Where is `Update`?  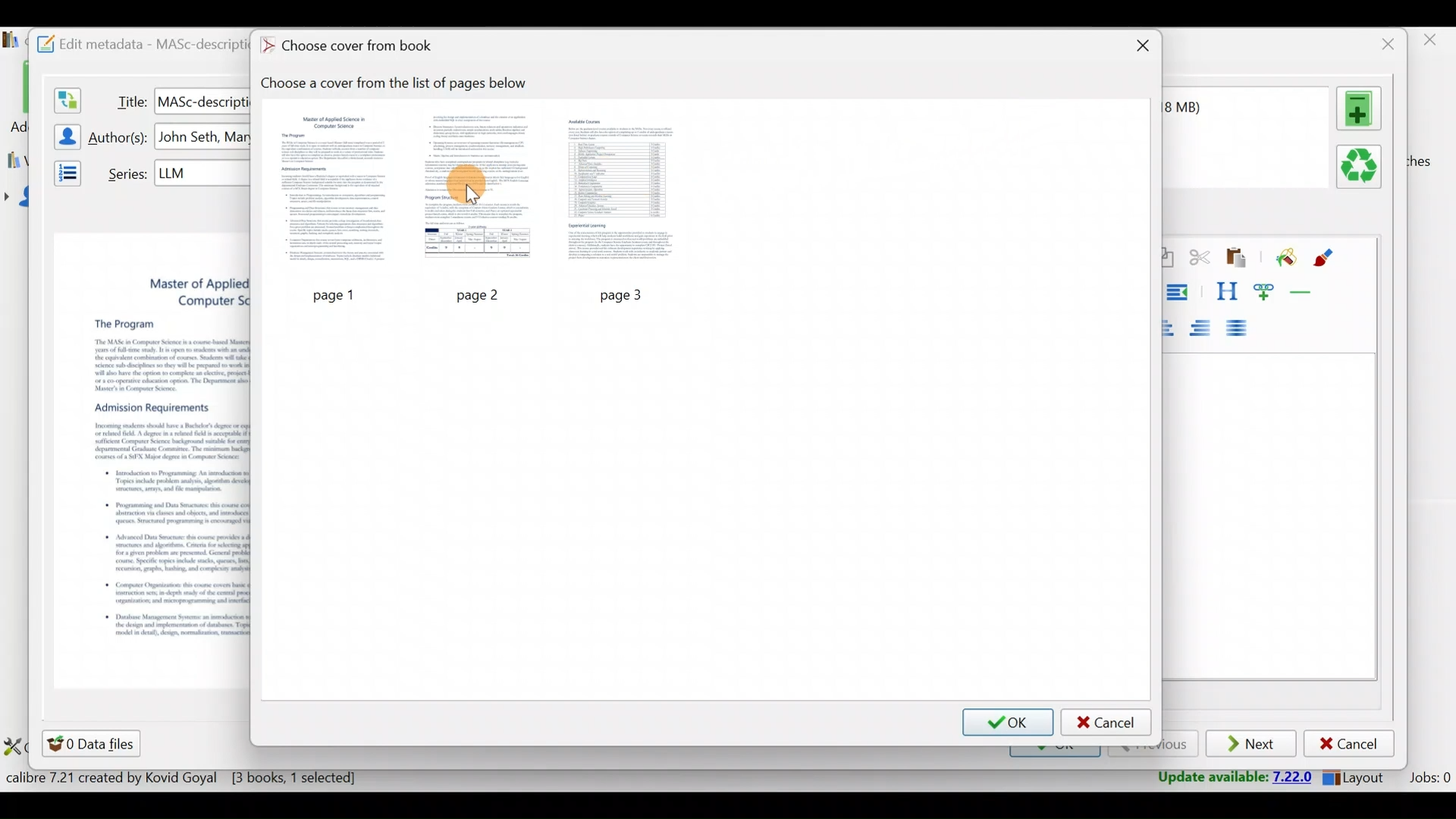 Update is located at coordinates (1230, 778).